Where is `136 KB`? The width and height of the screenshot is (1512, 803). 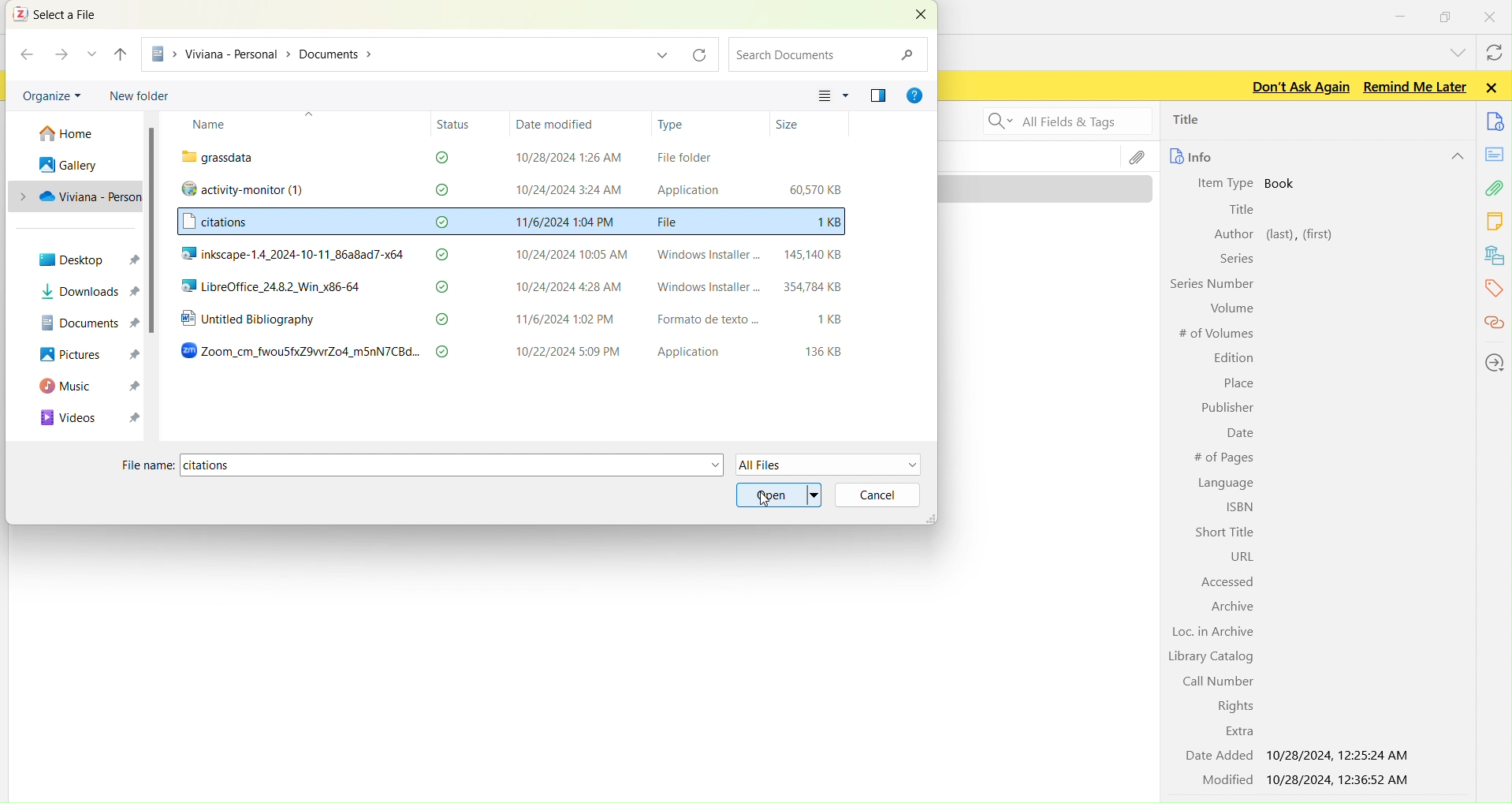
136 KB is located at coordinates (824, 352).